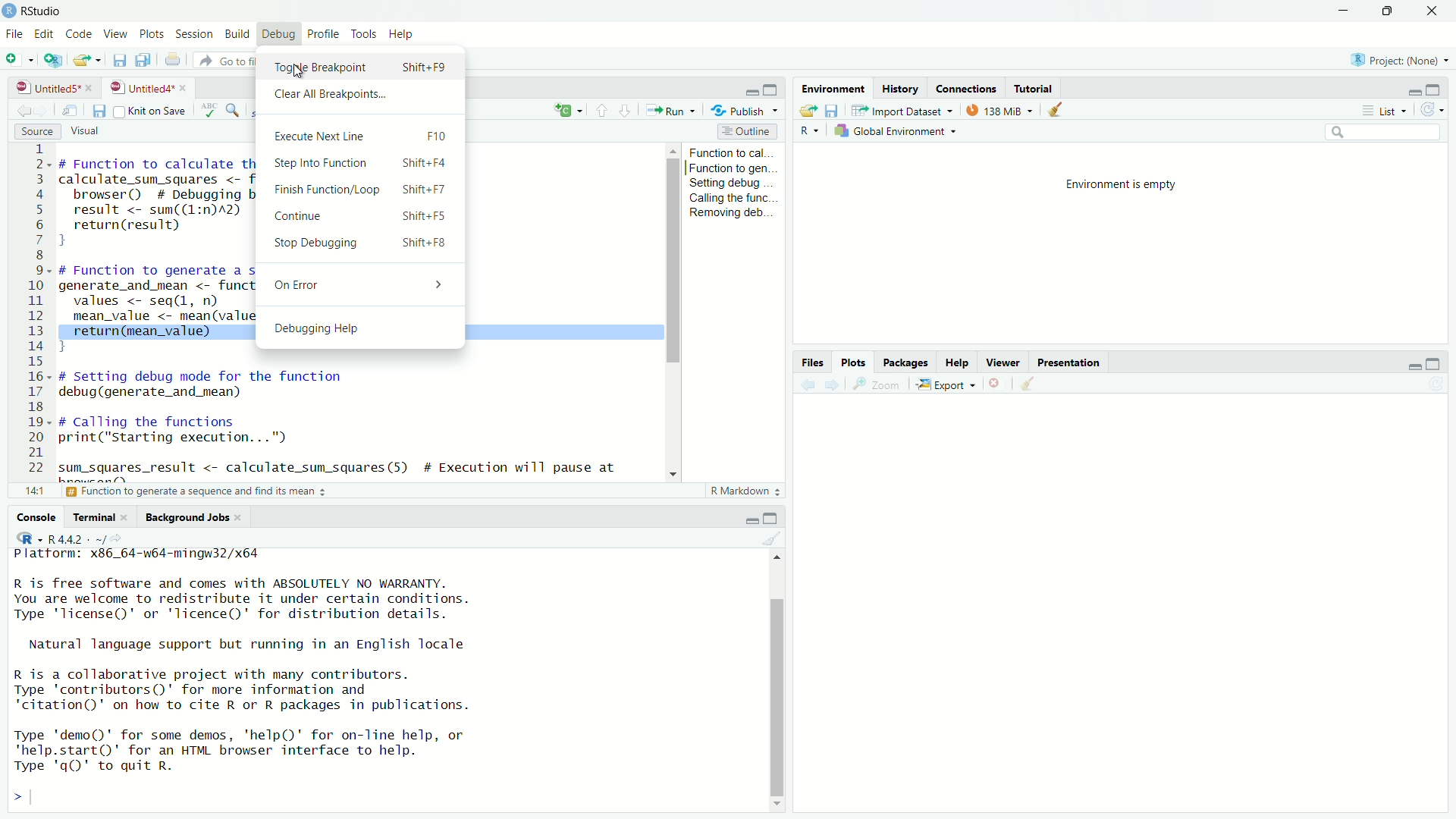  I want to click on new file, so click(19, 60).